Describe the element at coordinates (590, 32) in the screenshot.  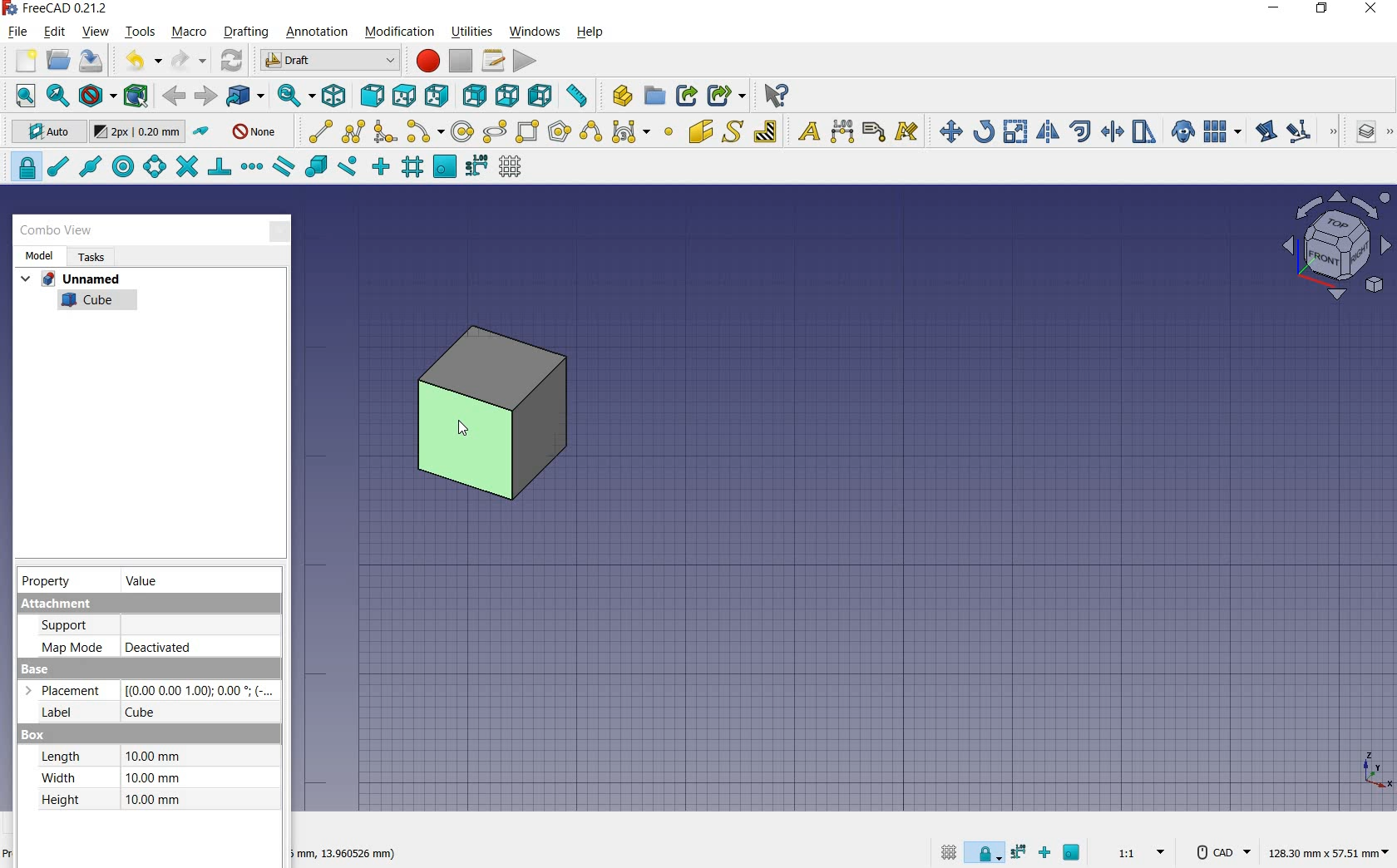
I see `help` at that location.